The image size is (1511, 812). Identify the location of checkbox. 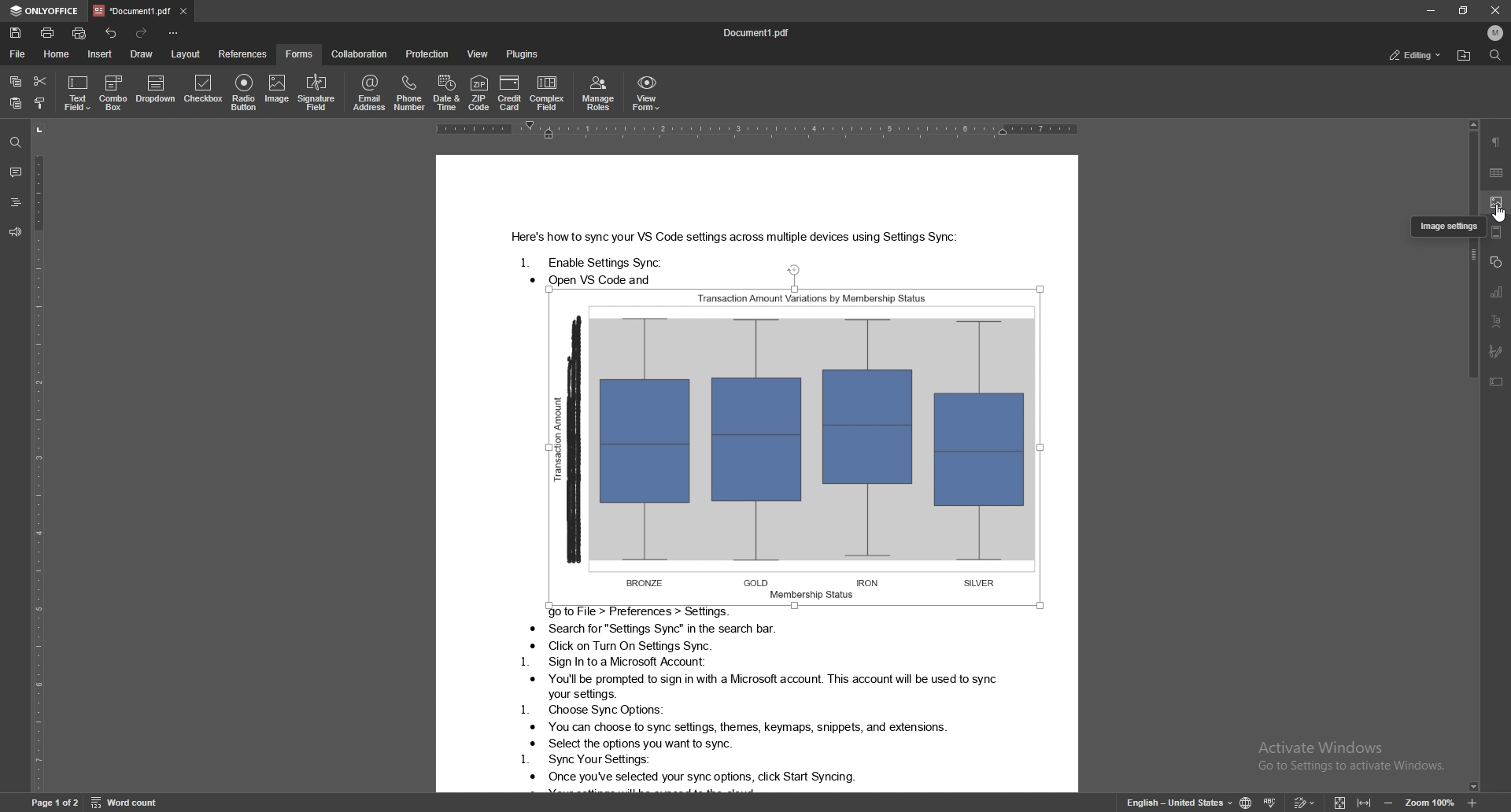
(205, 90).